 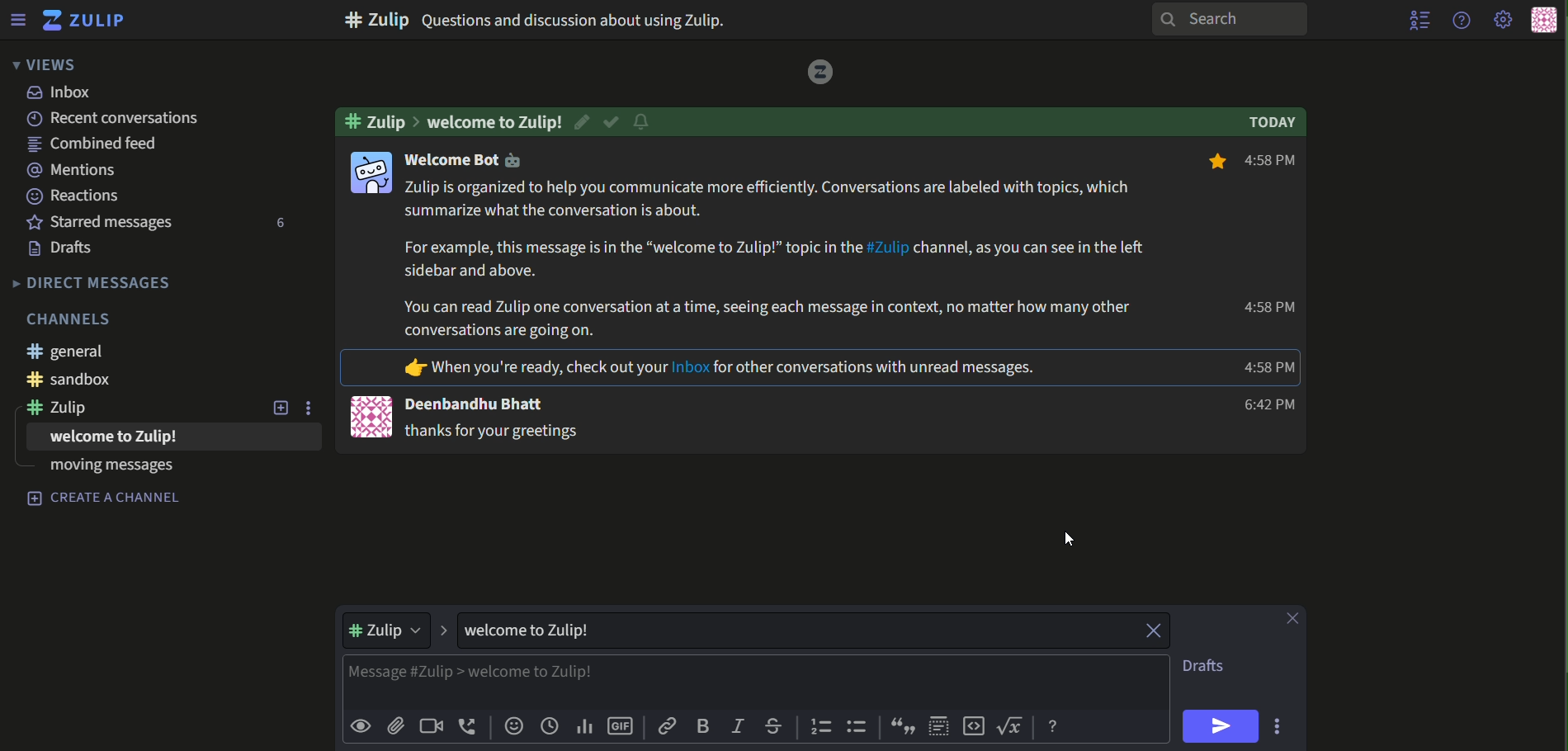 I want to click on text, so click(x=494, y=432).